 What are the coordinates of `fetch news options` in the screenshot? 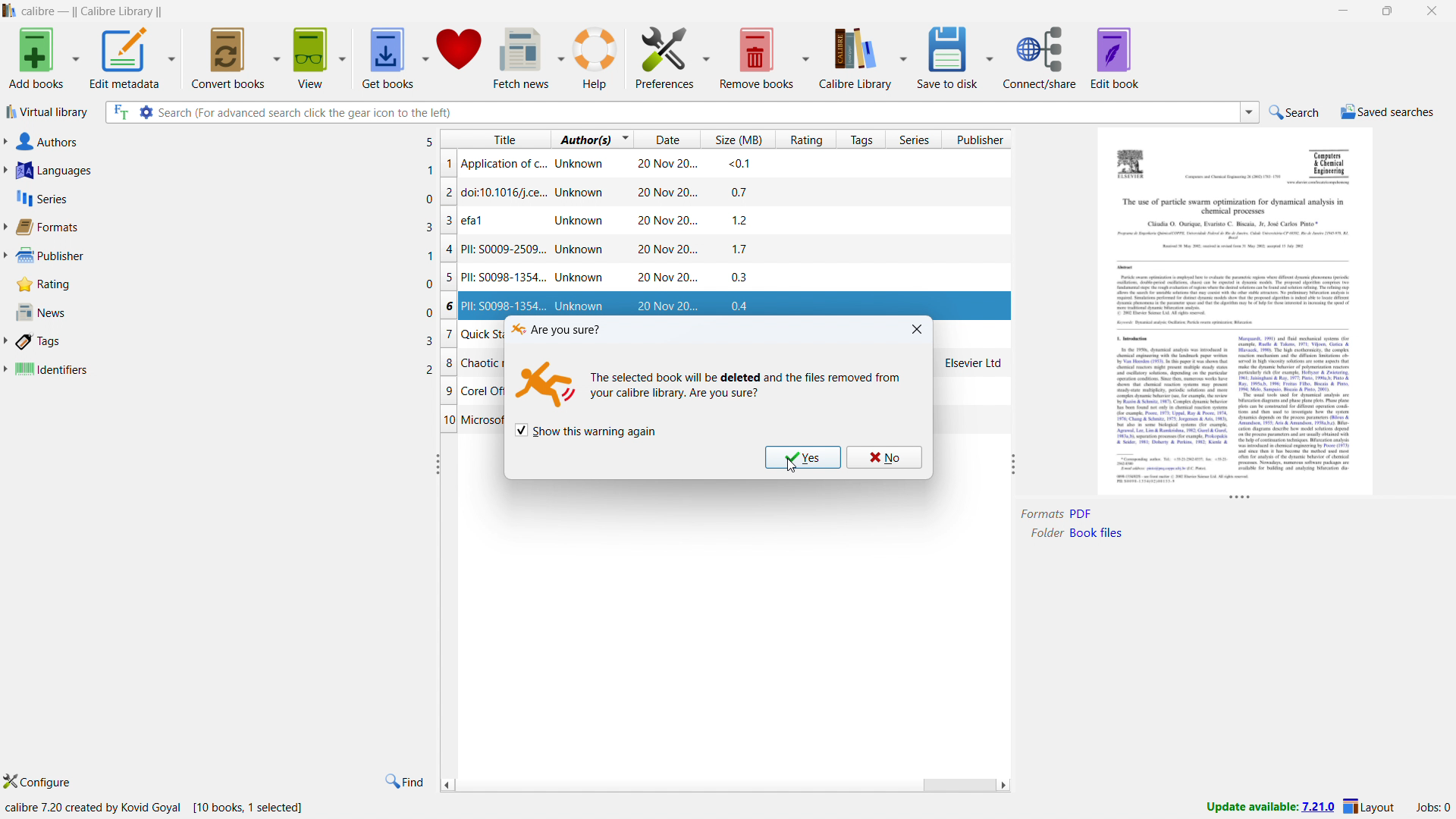 It's located at (560, 55).